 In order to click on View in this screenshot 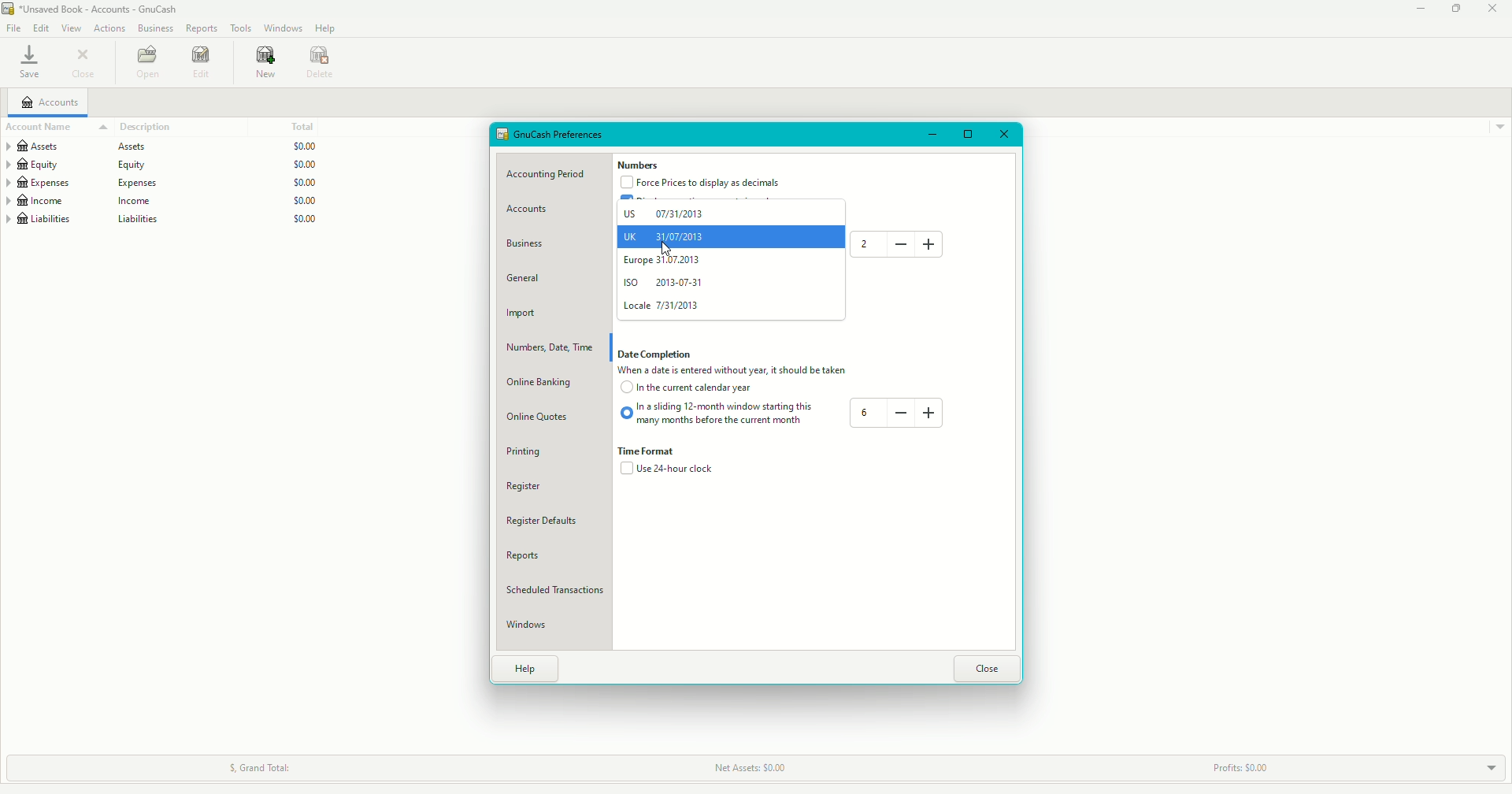, I will do `click(72, 28)`.